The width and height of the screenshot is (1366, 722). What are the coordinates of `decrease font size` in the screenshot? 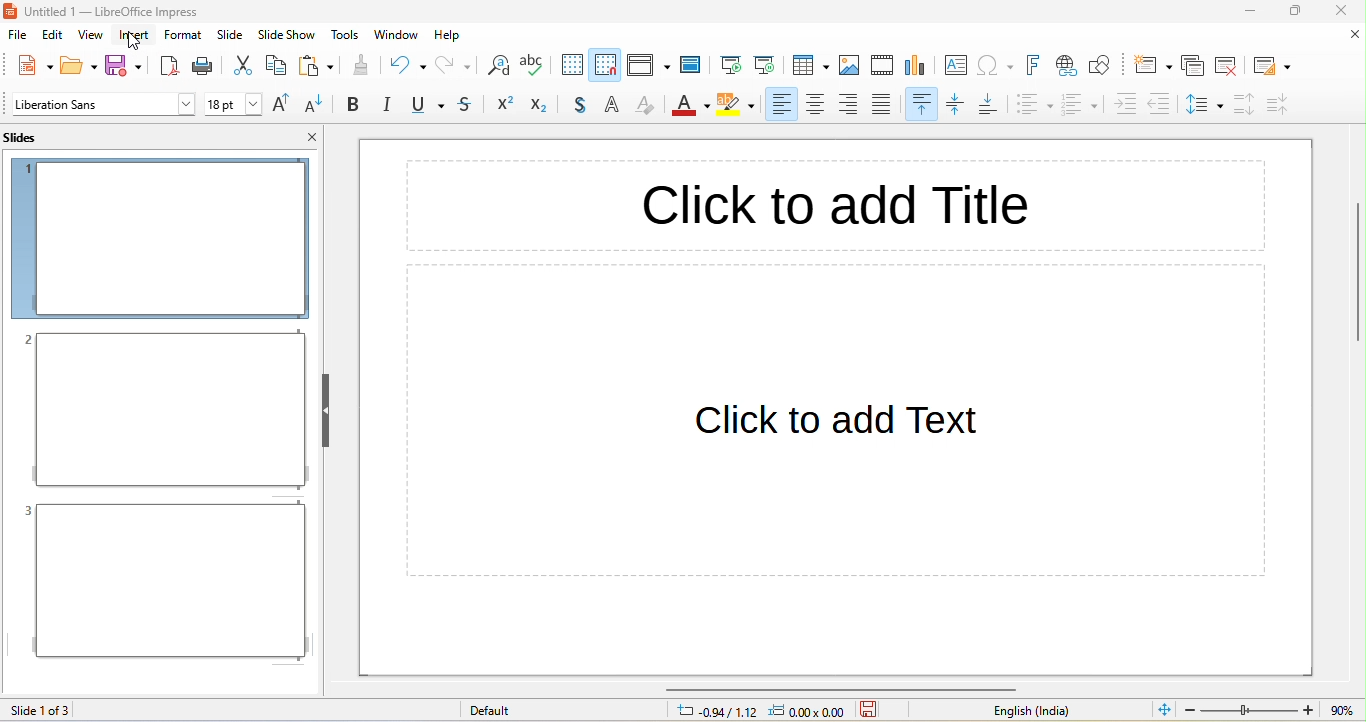 It's located at (317, 105).